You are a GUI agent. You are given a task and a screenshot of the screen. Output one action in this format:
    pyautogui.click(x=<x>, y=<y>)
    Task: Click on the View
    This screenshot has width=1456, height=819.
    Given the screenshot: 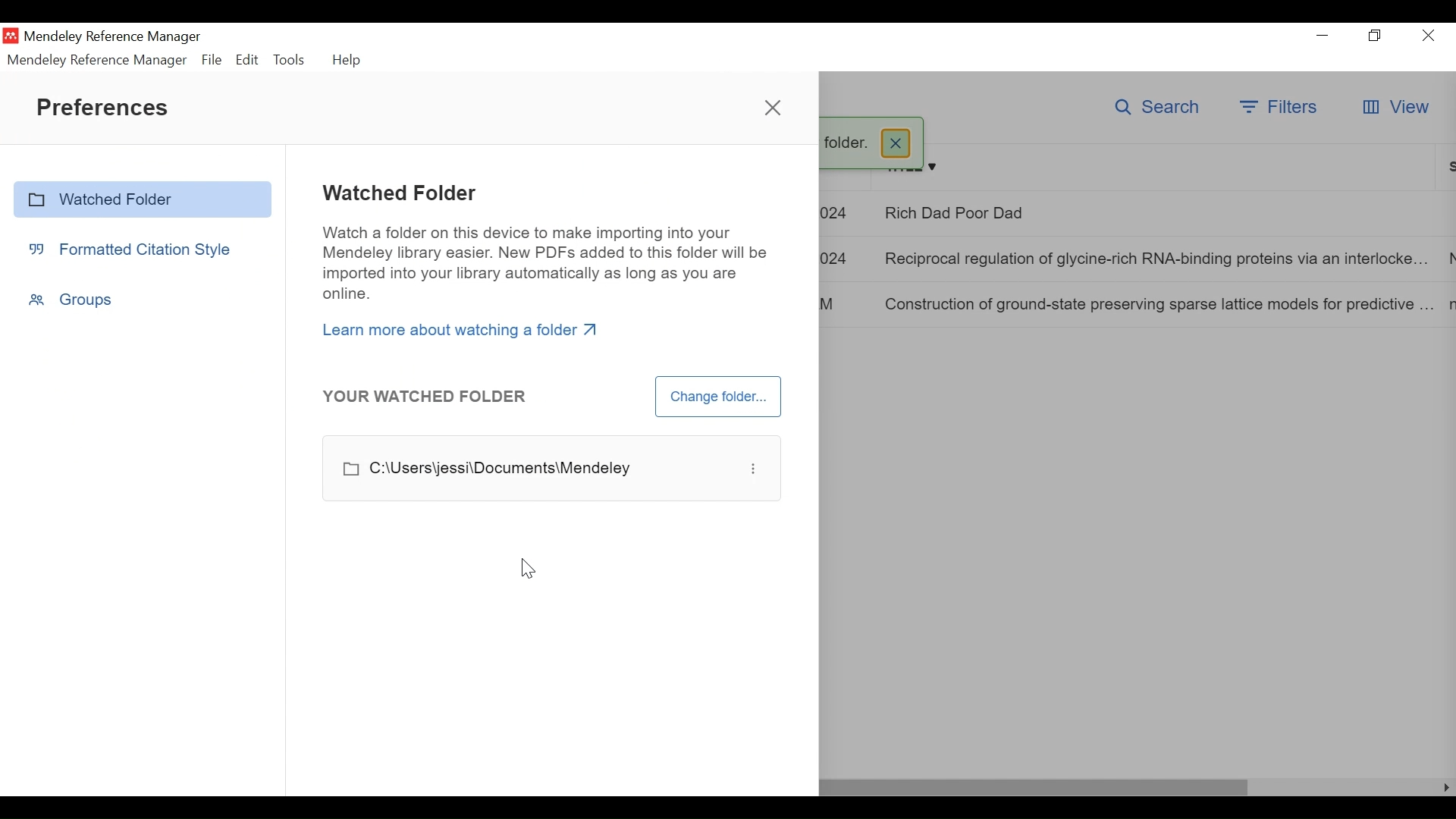 What is the action you would take?
    pyautogui.click(x=1395, y=108)
    